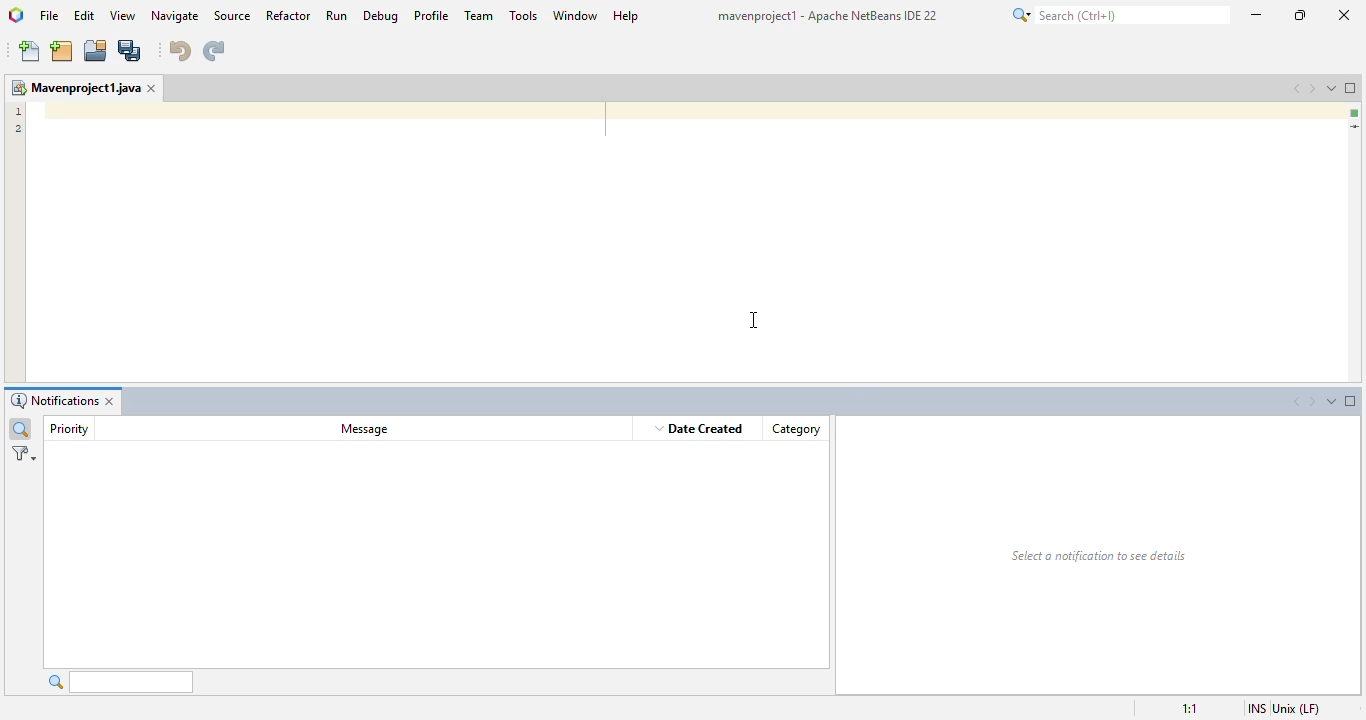 This screenshot has height=720, width=1366. Describe the element at coordinates (18, 110) in the screenshot. I see `1` at that location.